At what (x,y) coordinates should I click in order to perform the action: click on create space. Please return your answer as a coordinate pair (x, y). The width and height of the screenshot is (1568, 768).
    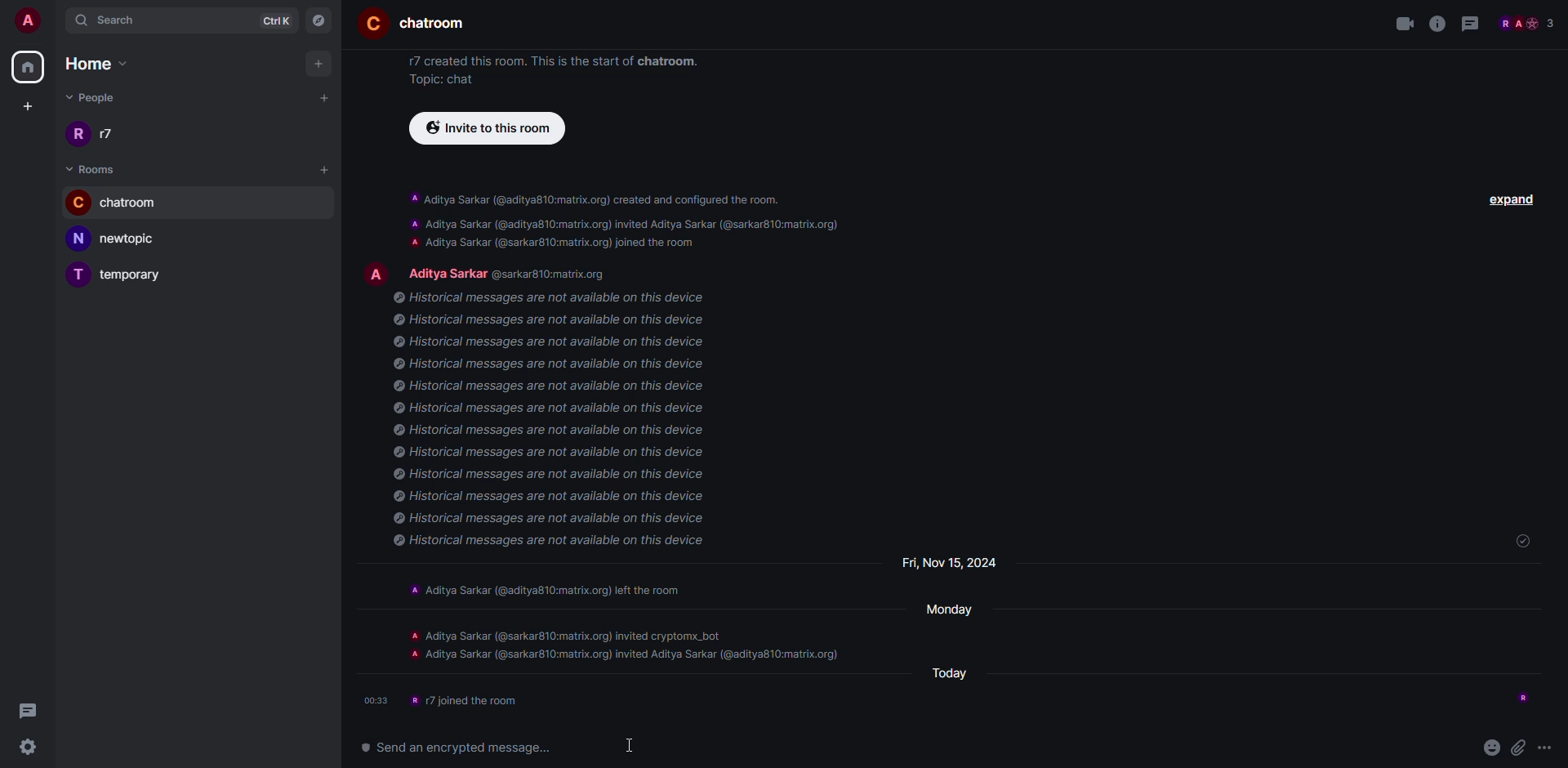
    Looking at the image, I should click on (25, 105).